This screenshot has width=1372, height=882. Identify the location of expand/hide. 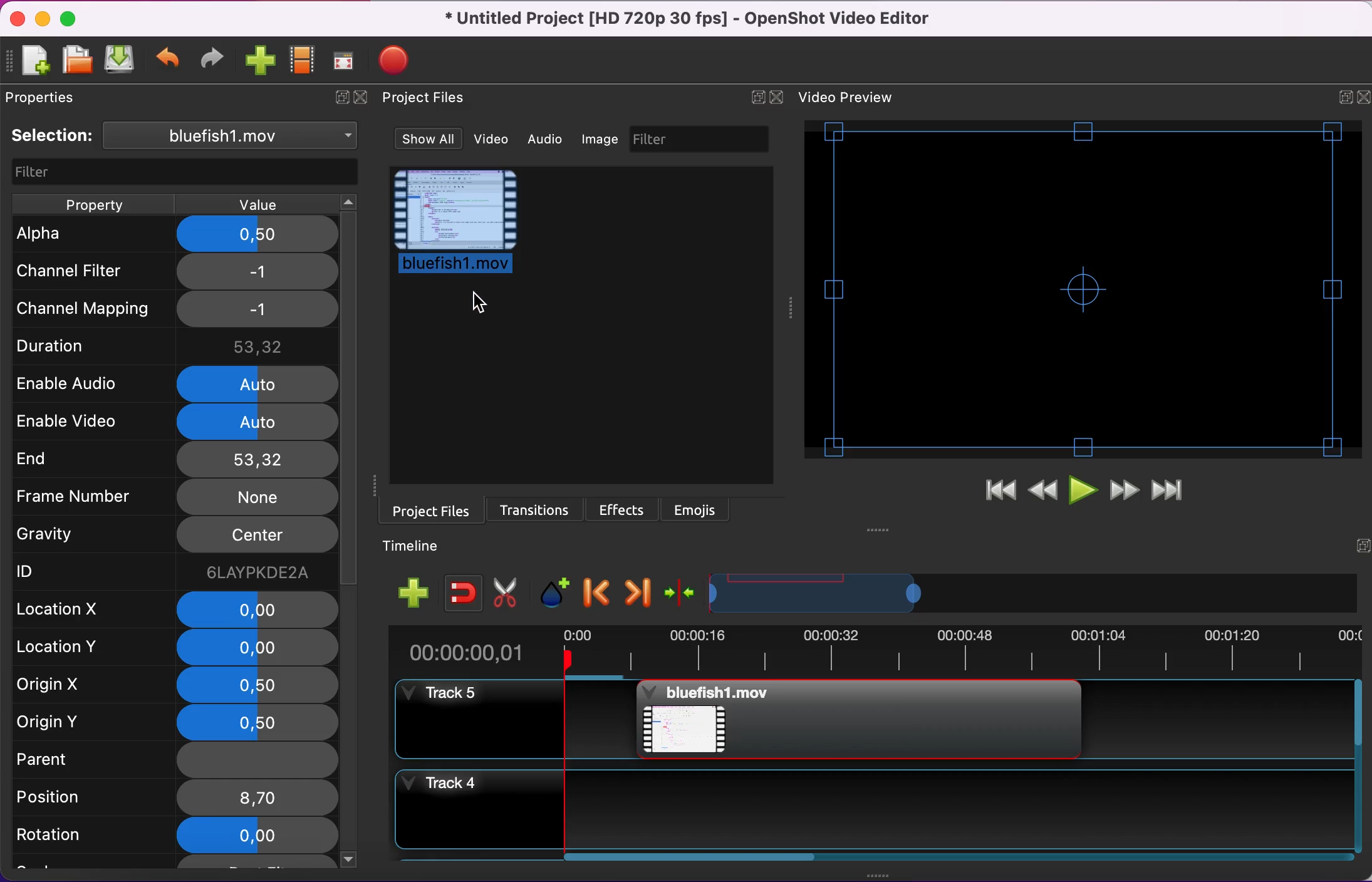
(1337, 100).